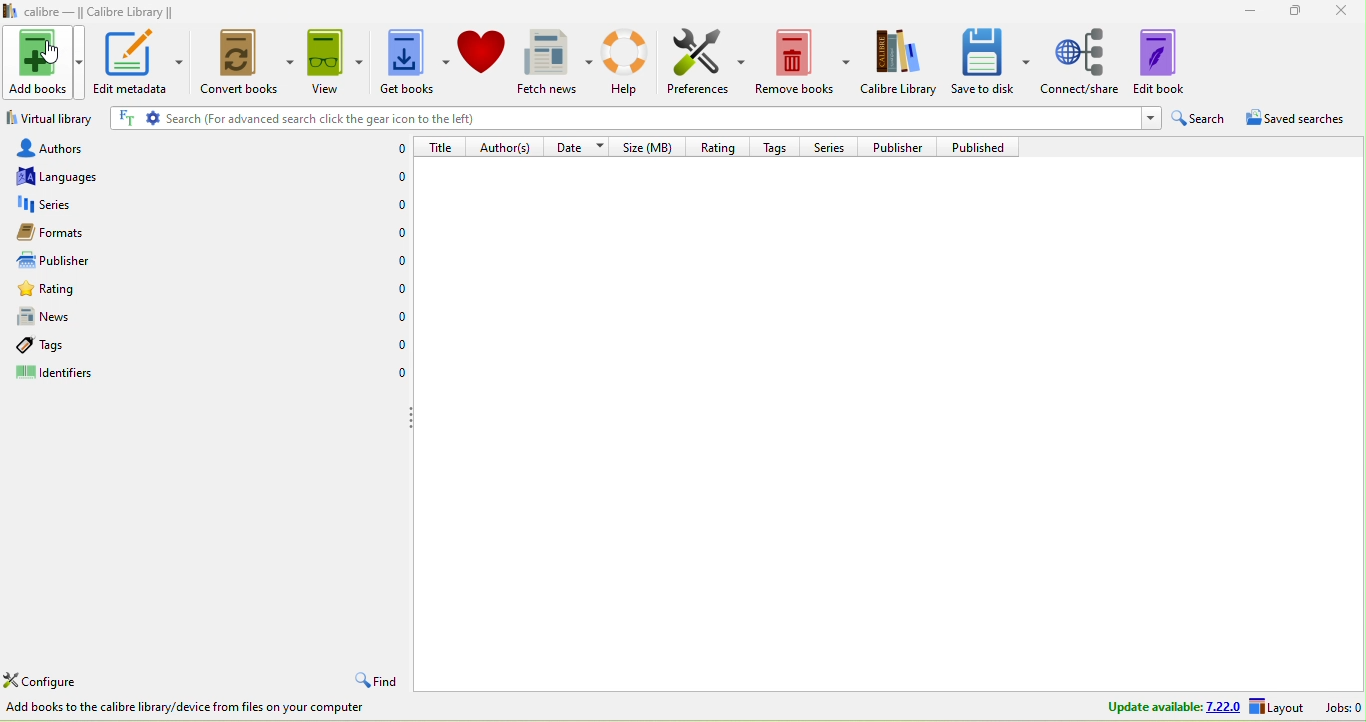 This screenshot has width=1366, height=722. I want to click on 0, so click(399, 231).